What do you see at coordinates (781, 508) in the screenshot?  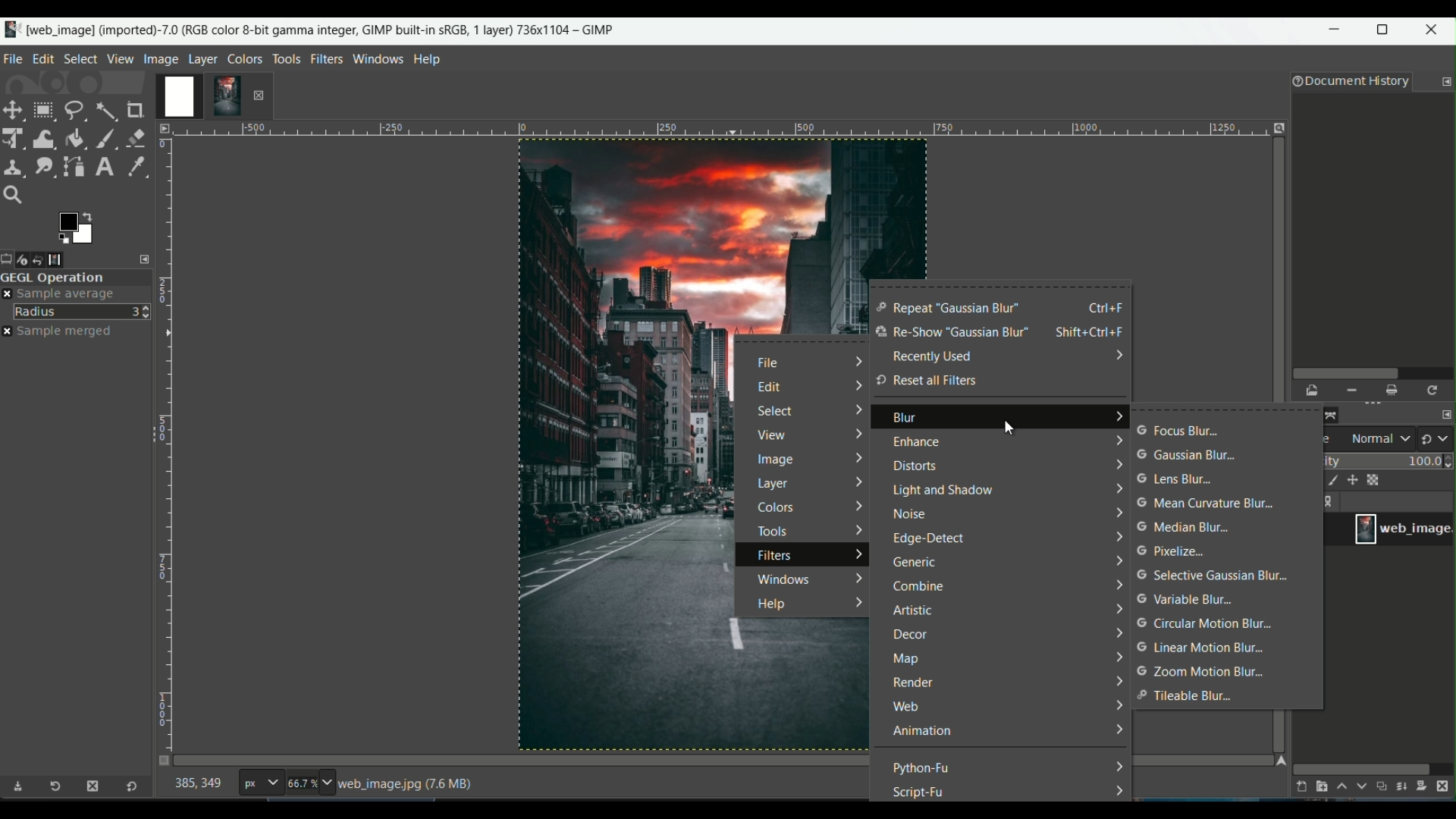 I see `colors` at bounding box center [781, 508].